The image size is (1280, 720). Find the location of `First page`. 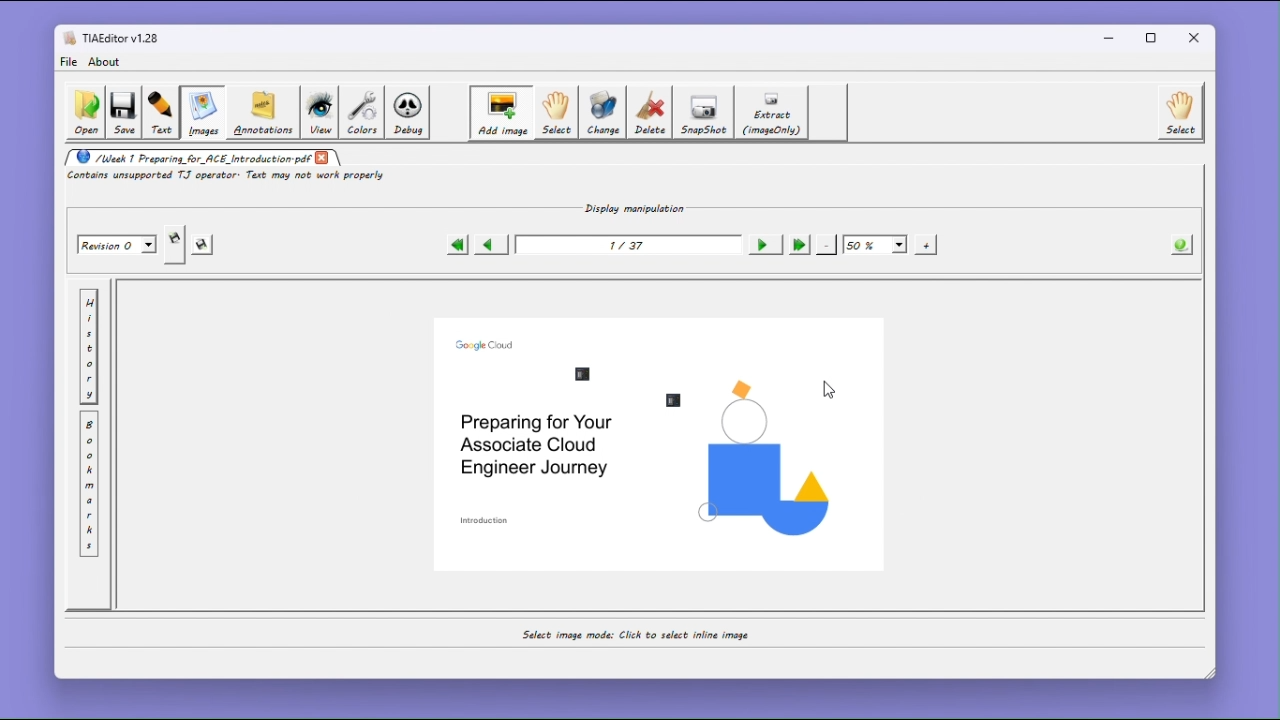

First page is located at coordinates (456, 245).